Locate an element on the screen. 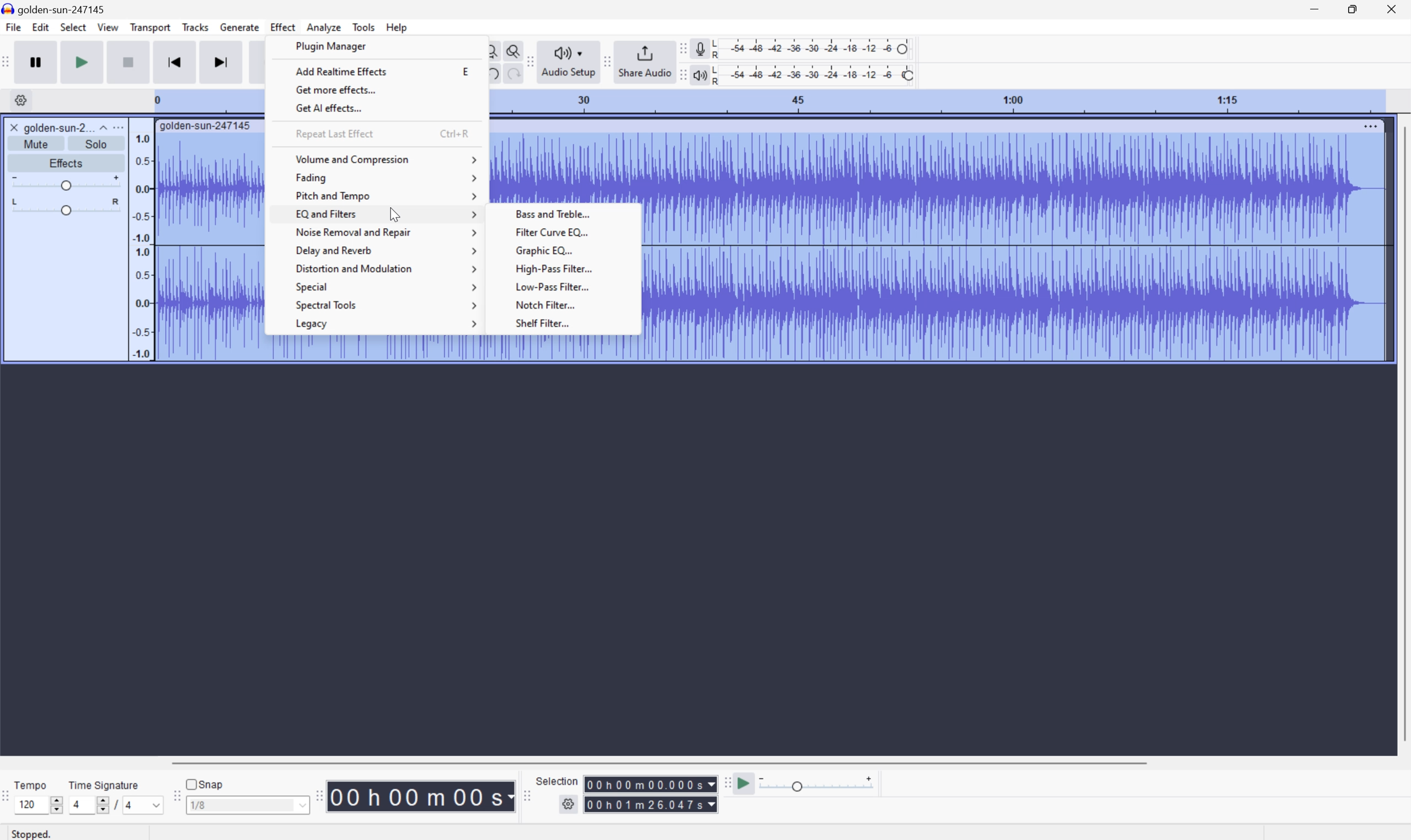  More is located at coordinates (117, 127).